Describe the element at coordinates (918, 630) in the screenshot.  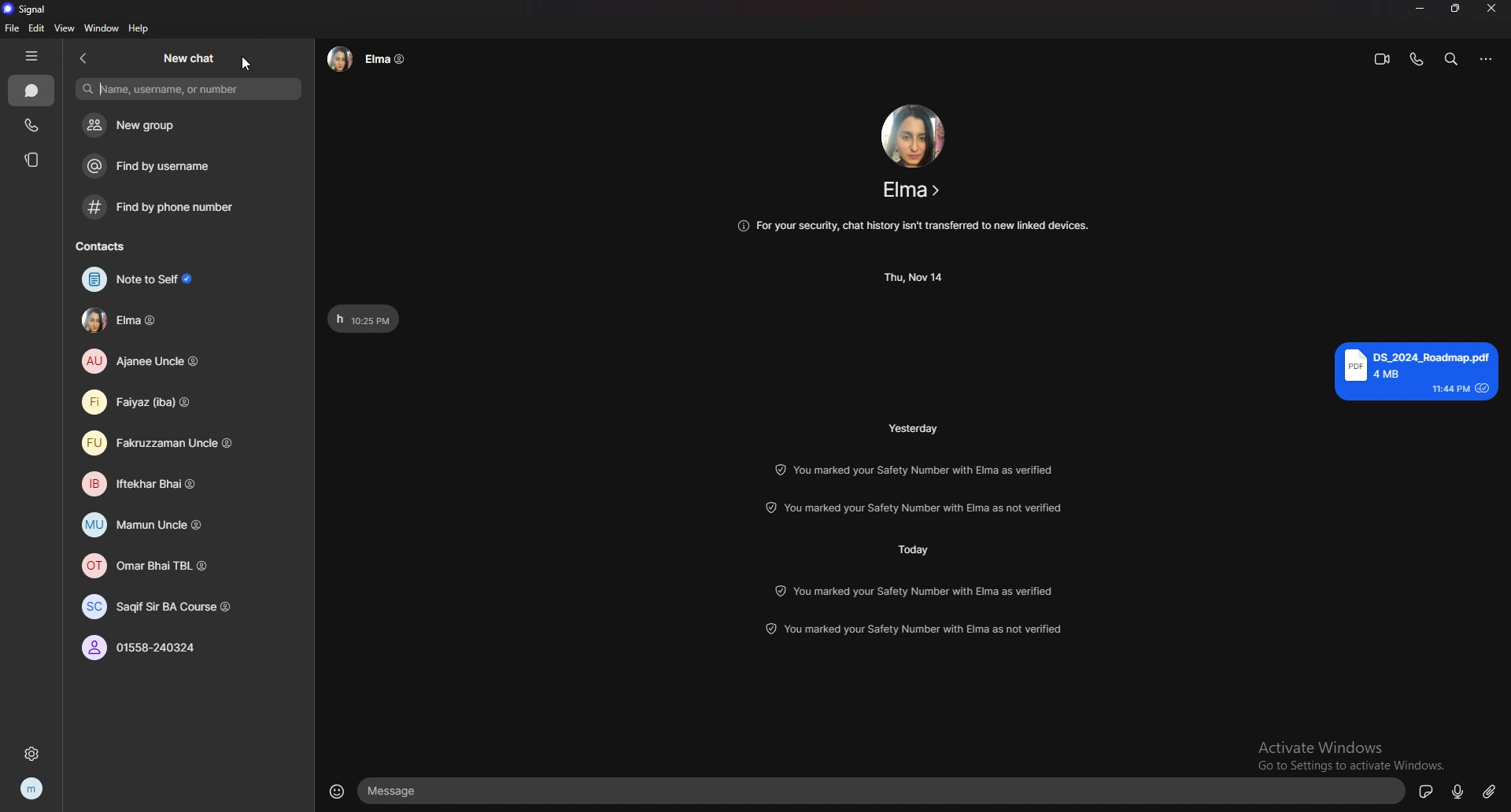
I see `update` at that location.